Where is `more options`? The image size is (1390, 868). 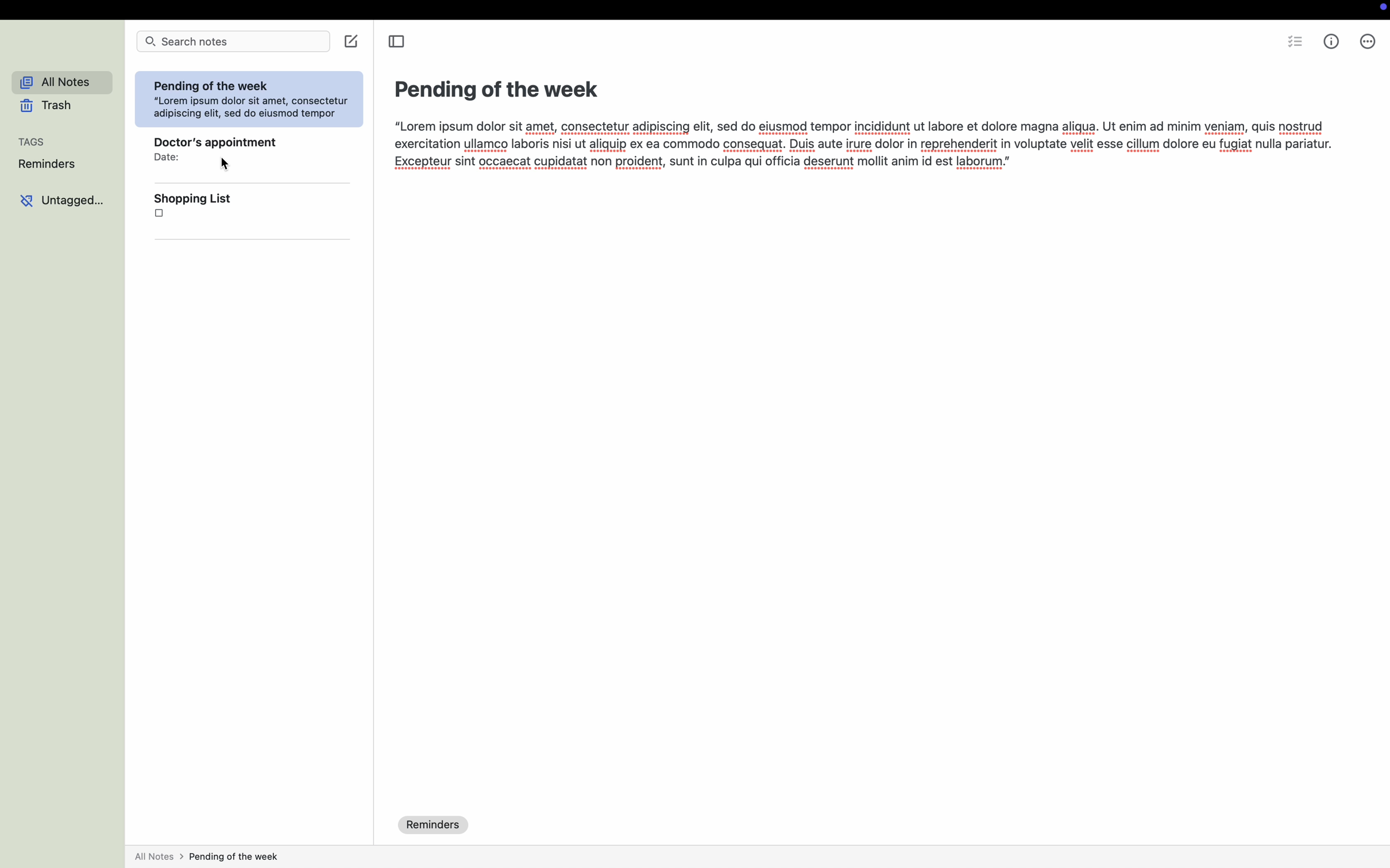
more options is located at coordinates (1368, 43).